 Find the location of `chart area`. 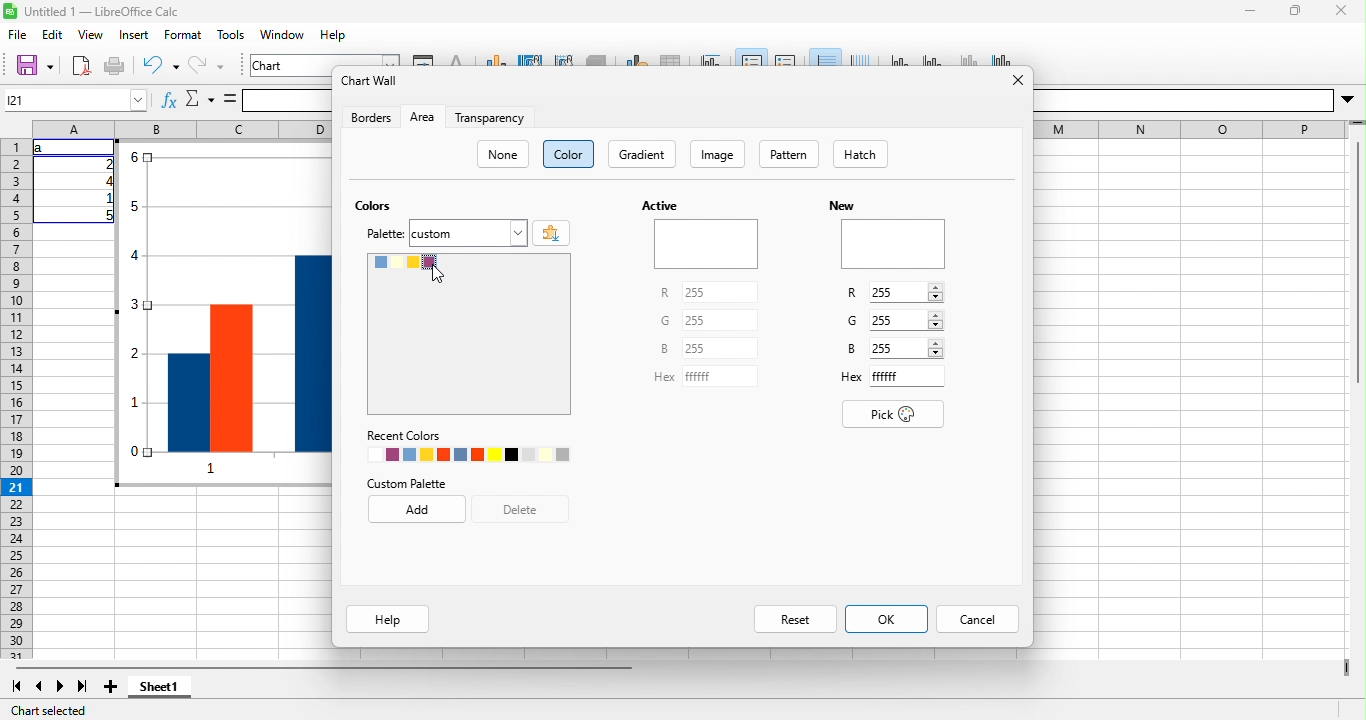

chart area is located at coordinates (531, 59).